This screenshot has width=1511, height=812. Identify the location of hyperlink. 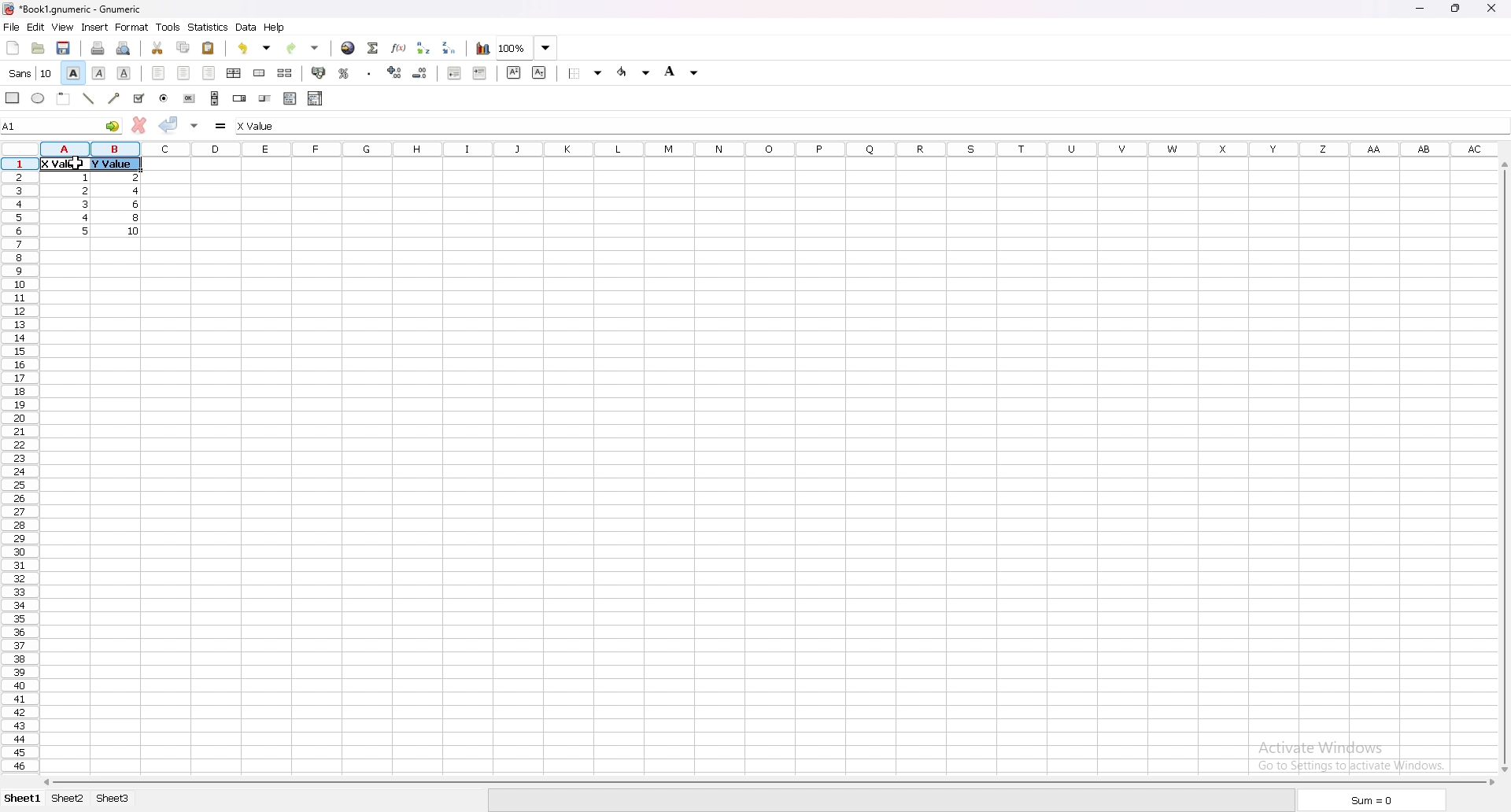
(348, 48).